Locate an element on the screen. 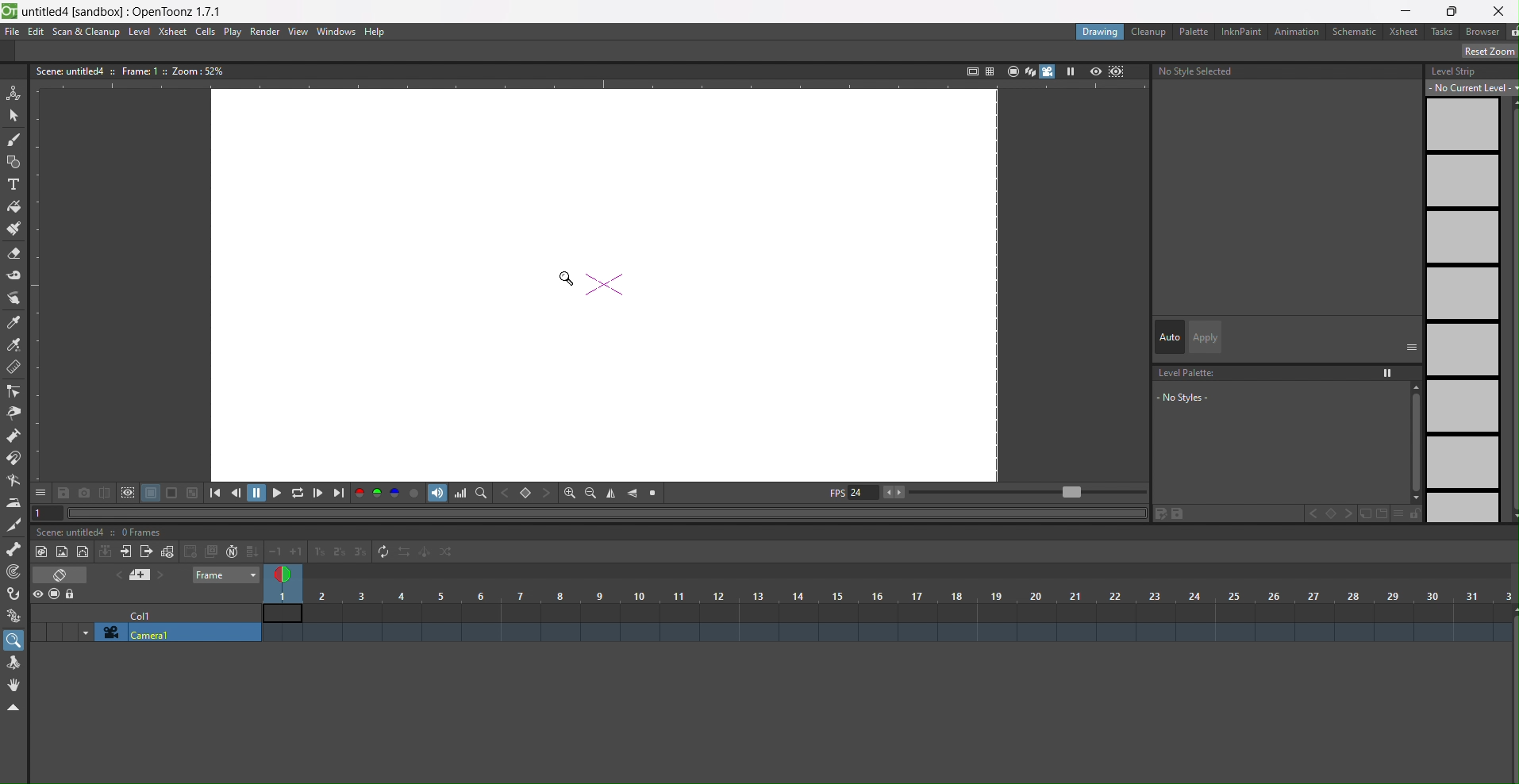 The width and height of the screenshot is (1519, 784).  is located at coordinates (16, 345).